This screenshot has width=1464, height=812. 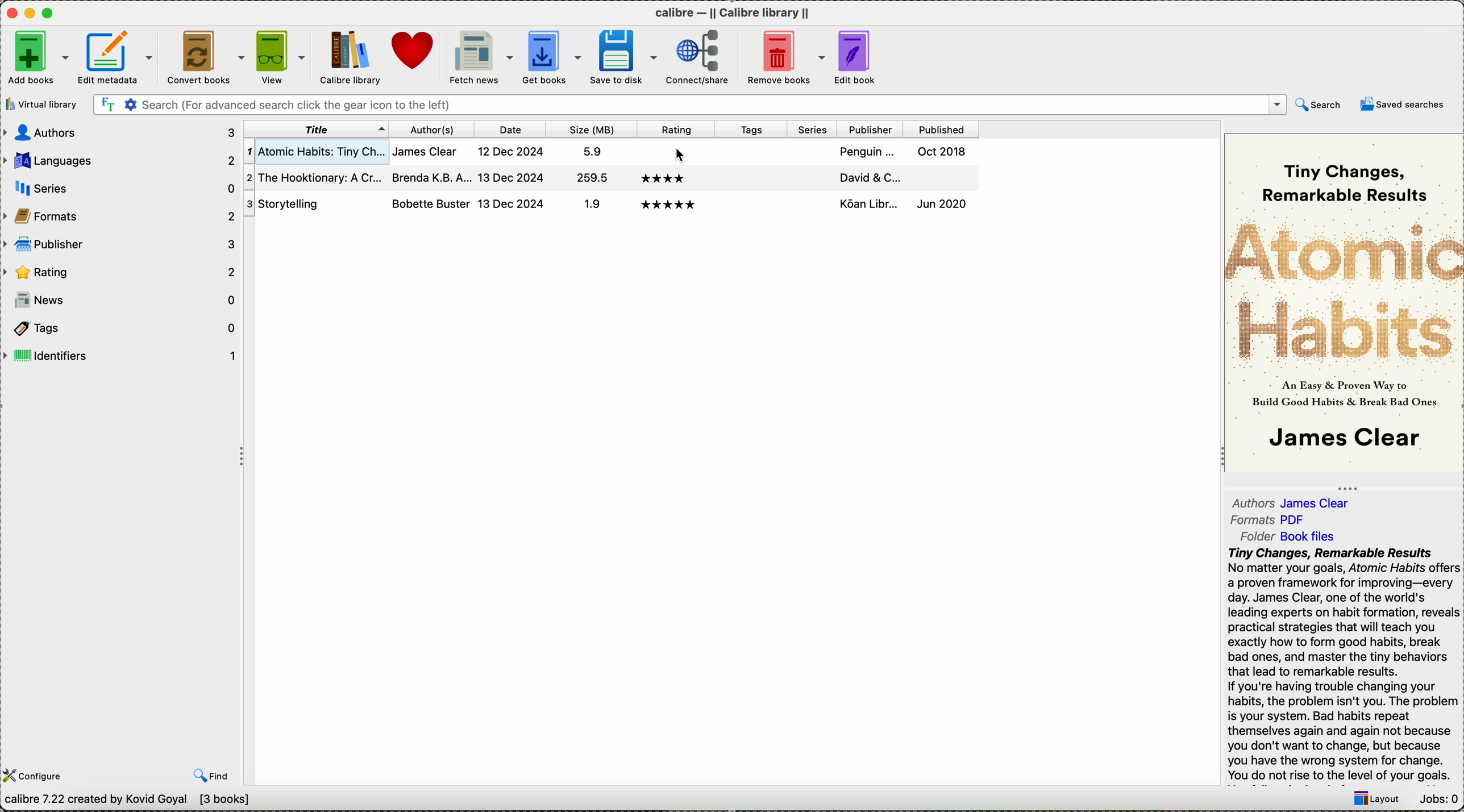 What do you see at coordinates (1253, 502) in the screenshot?
I see `Authors` at bounding box center [1253, 502].